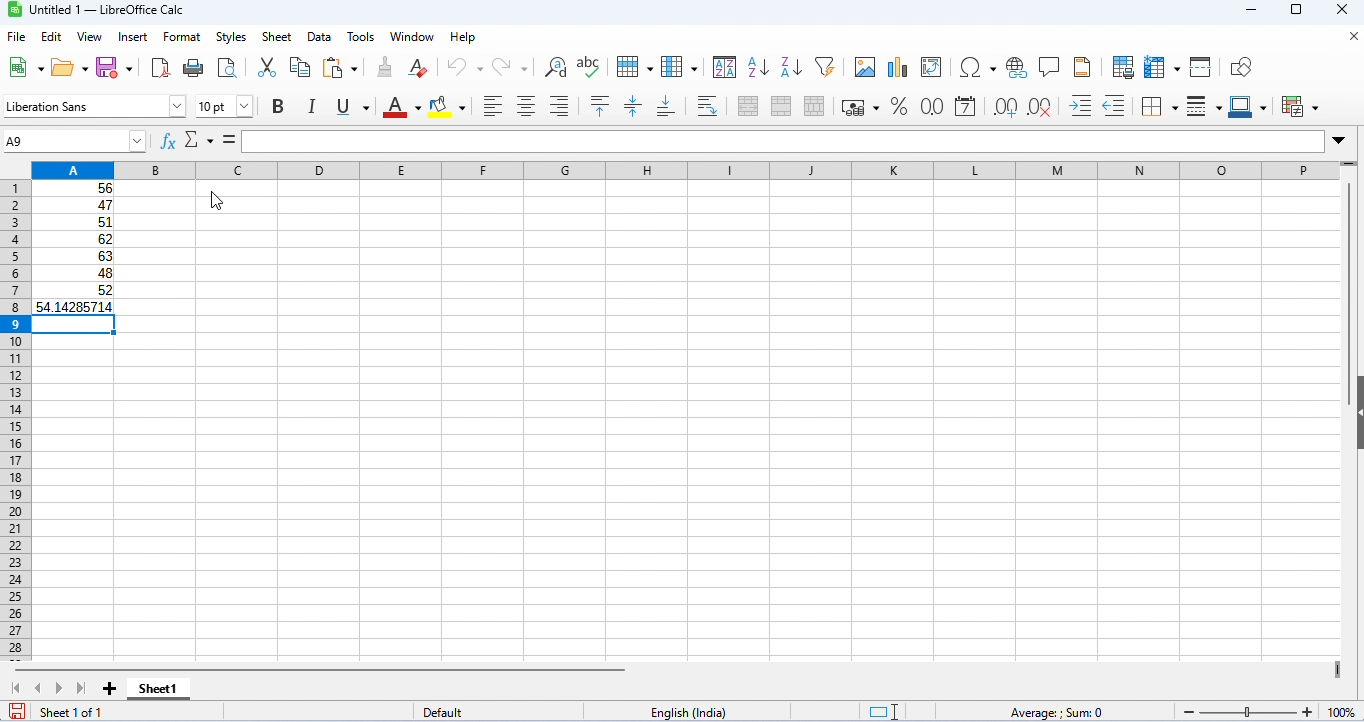 The height and width of the screenshot is (722, 1364). I want to click on column, so click(679, 66).